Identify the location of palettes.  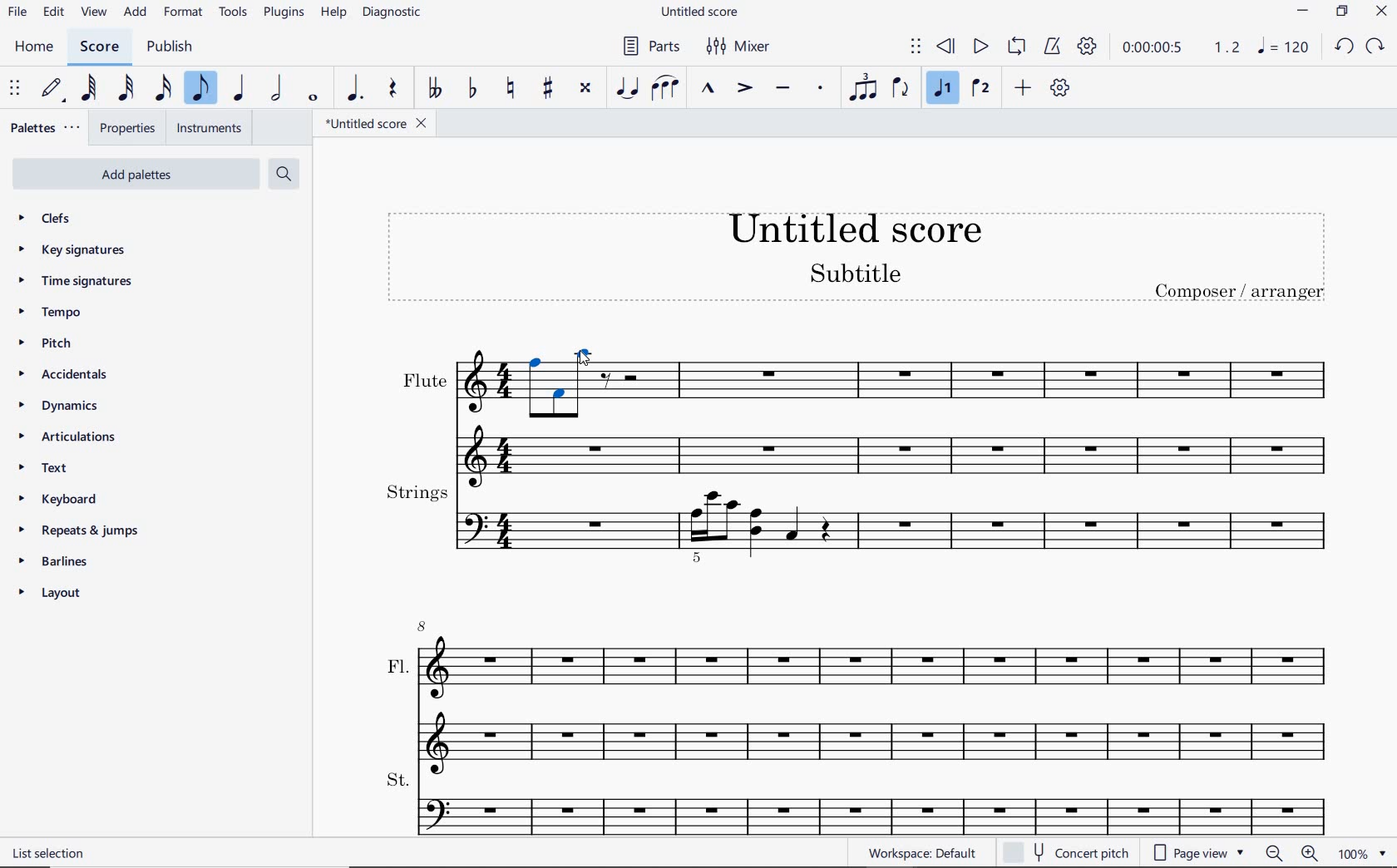
(47, 126).